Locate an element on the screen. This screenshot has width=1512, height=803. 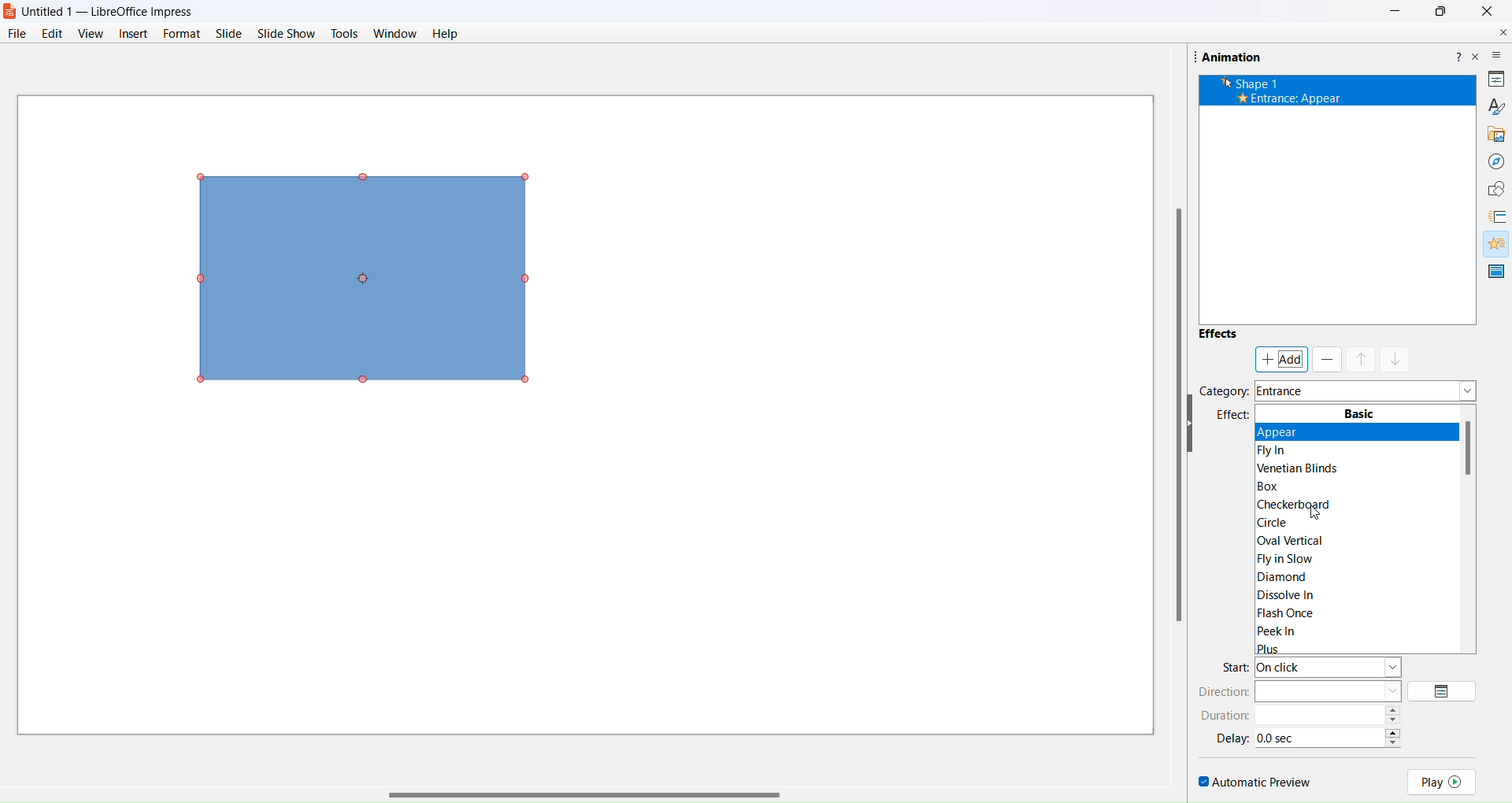
scroll bar is located at coordinates (584, 787).